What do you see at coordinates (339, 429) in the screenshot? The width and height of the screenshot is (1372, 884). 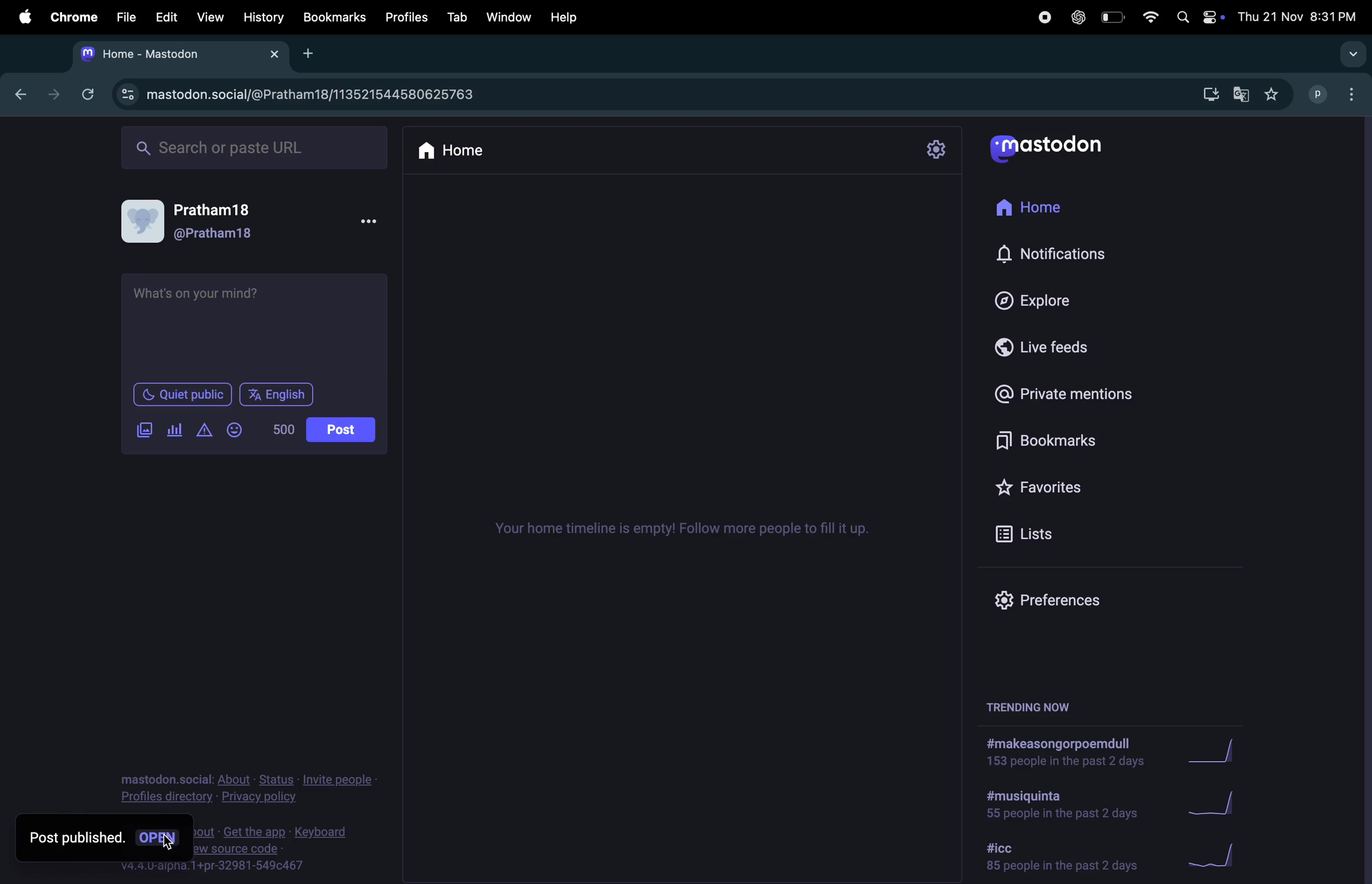 I see `post` at bounding box center [339, 429].